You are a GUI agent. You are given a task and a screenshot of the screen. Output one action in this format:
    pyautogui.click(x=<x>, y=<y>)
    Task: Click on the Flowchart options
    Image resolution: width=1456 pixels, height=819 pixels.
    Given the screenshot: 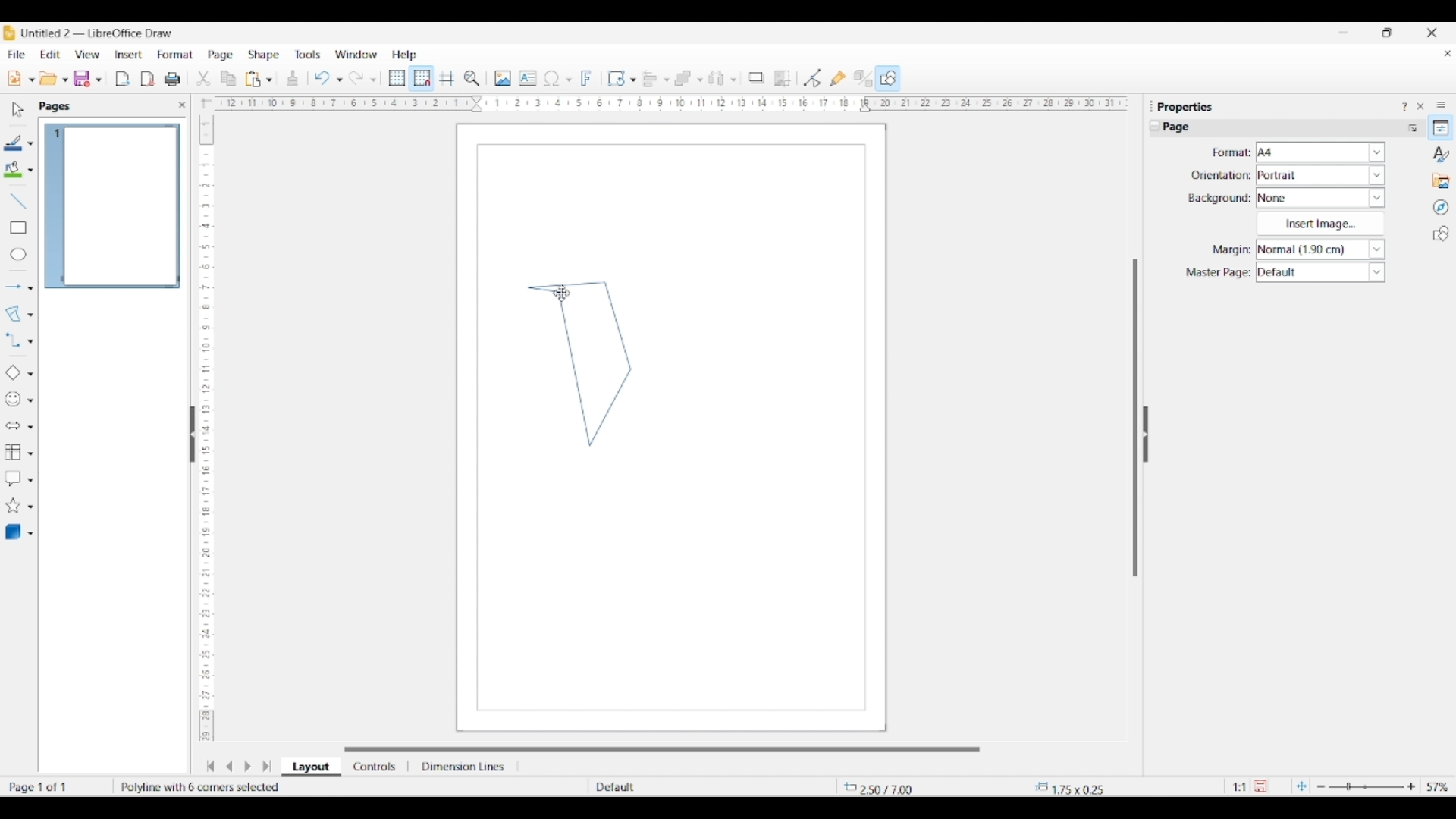 What is the action you would take?
    pyautogui.click(x=30, y=453)
    